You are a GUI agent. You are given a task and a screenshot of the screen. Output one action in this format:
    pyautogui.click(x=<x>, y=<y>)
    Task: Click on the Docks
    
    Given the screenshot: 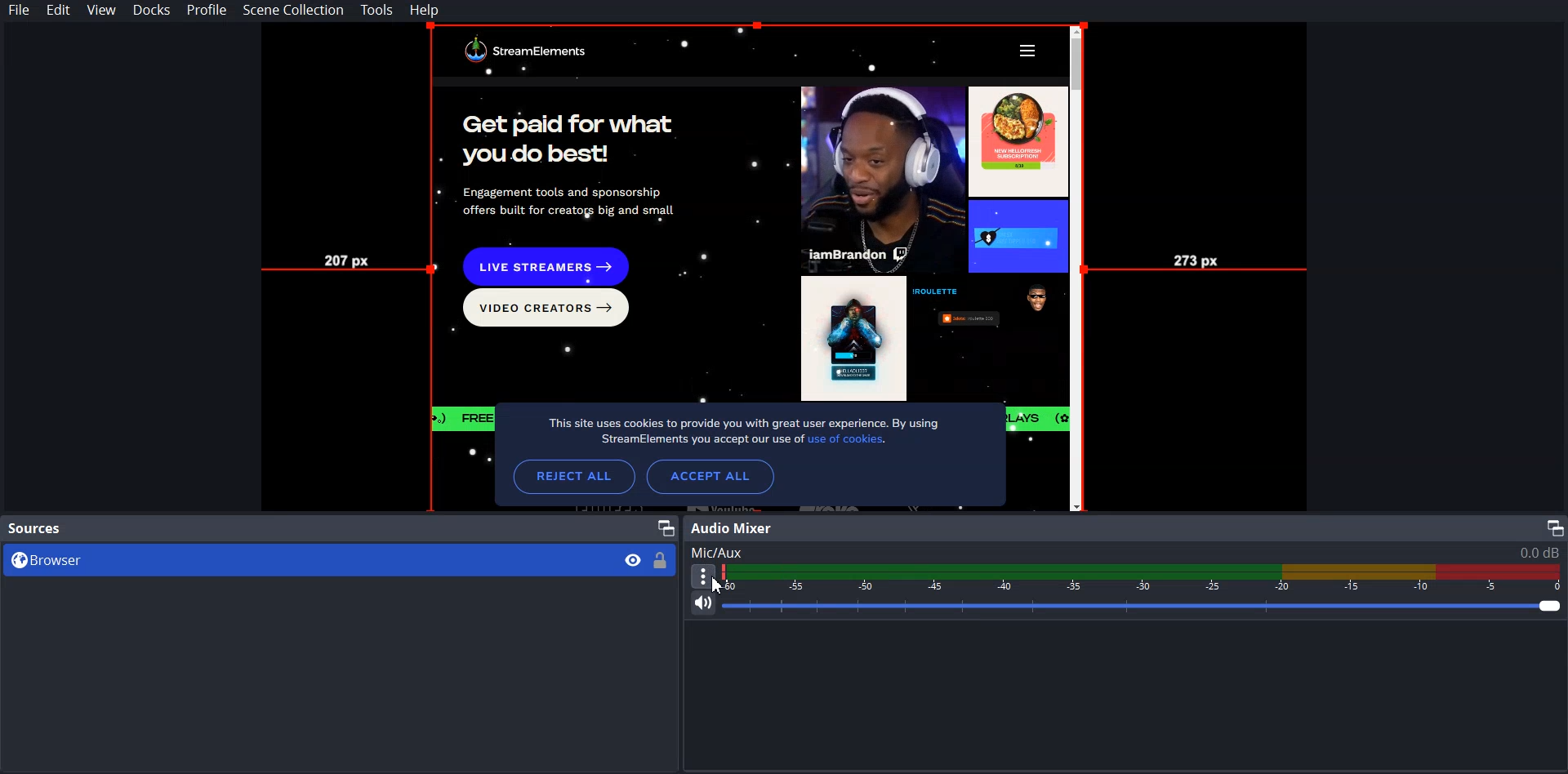 What is the action you would take?
    pyautogui.click(x=151, y=11)
    